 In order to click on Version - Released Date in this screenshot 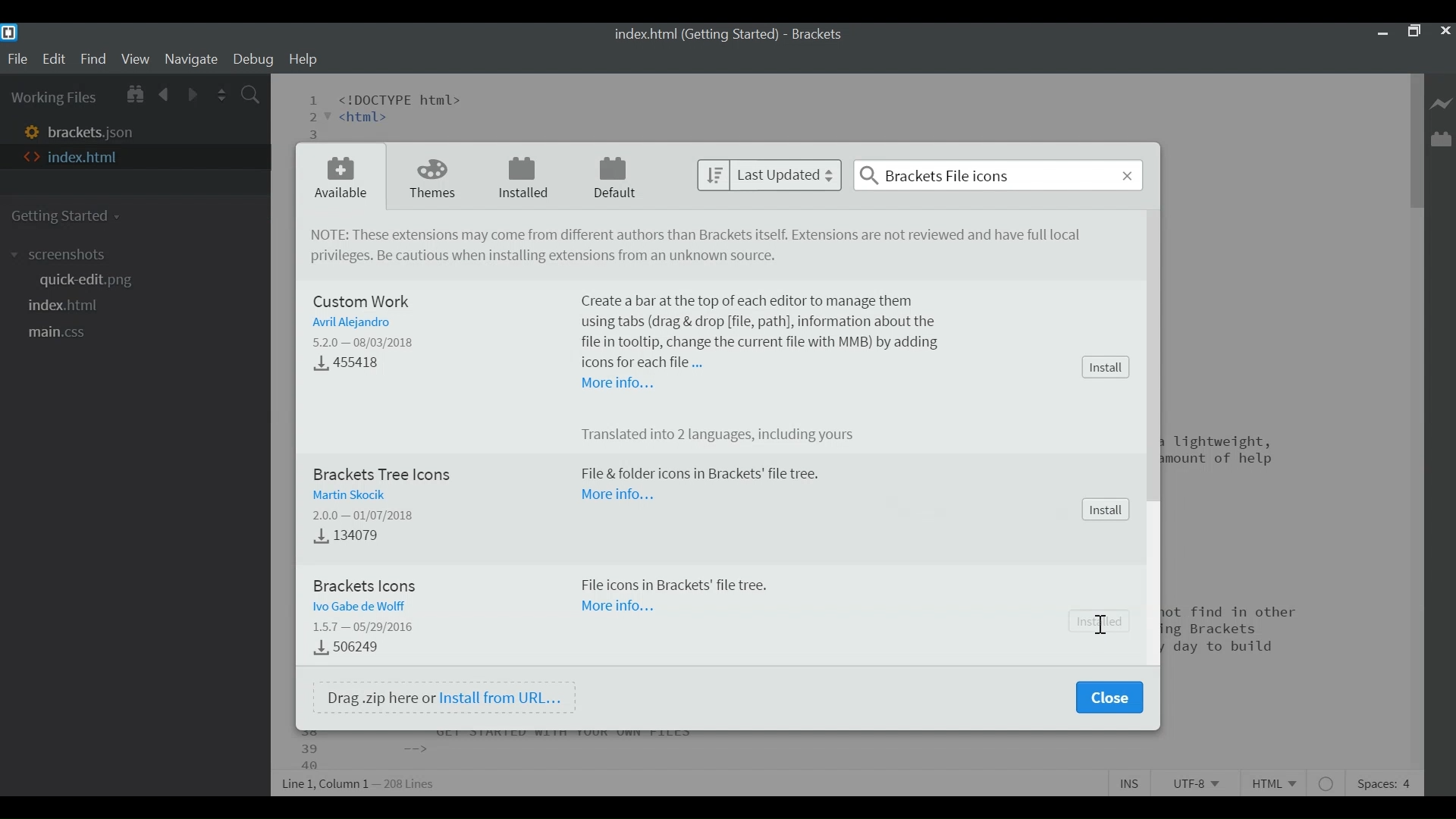, I will do `click(367, 342)`.